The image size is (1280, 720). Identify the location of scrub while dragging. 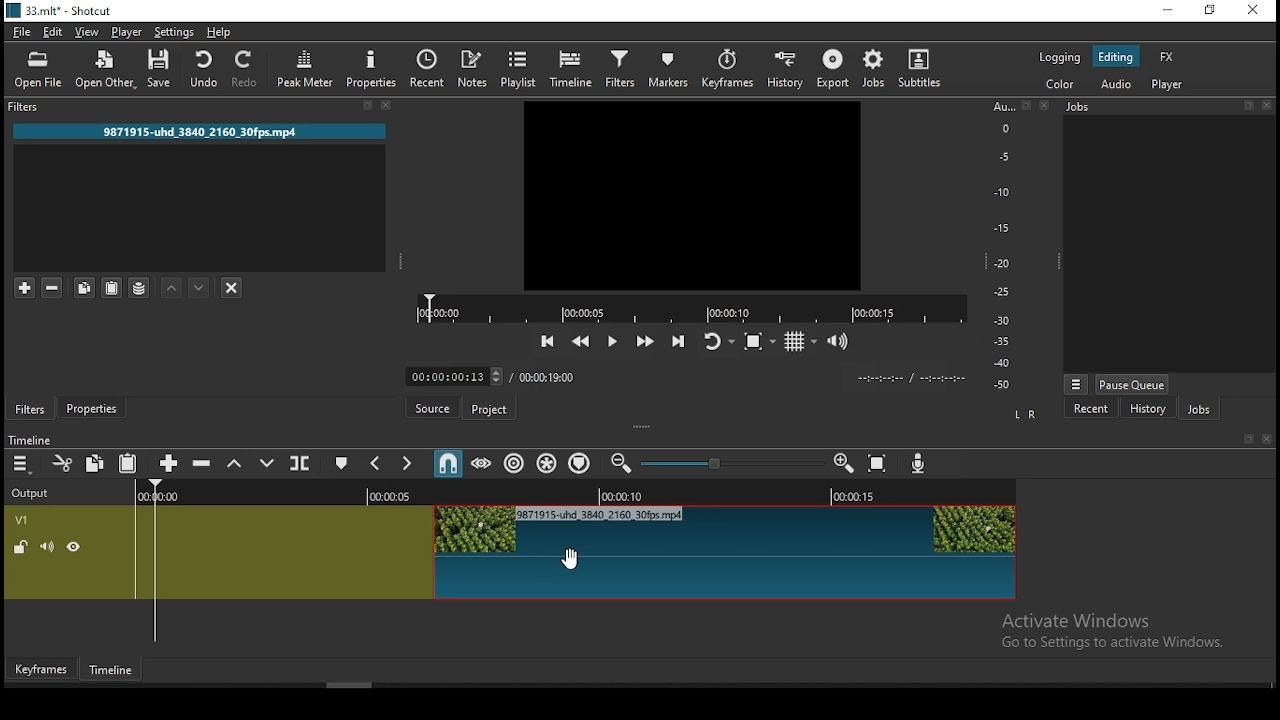
(483, 465).